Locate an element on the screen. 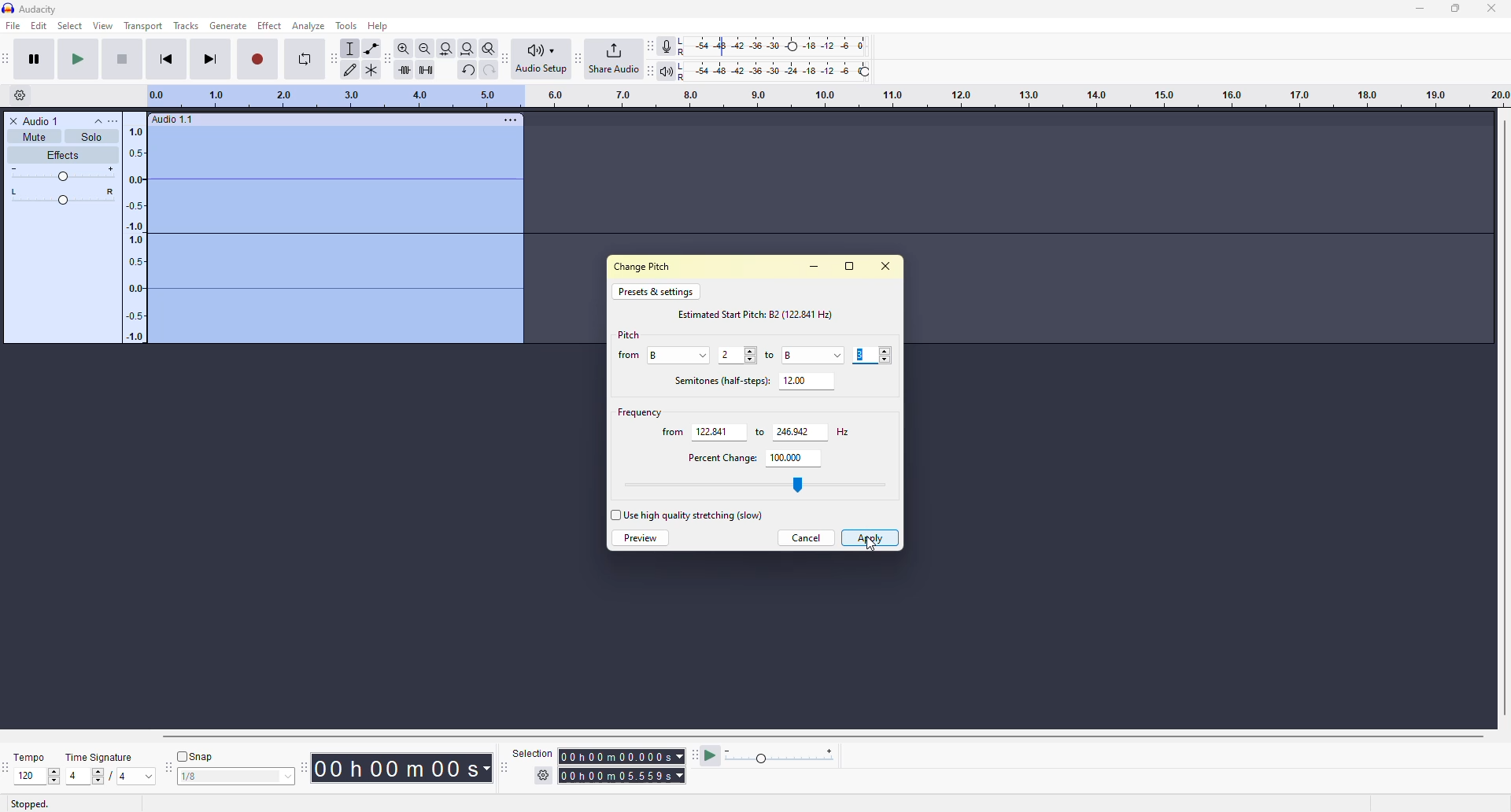  share audio is located at coordinates (614, 58).